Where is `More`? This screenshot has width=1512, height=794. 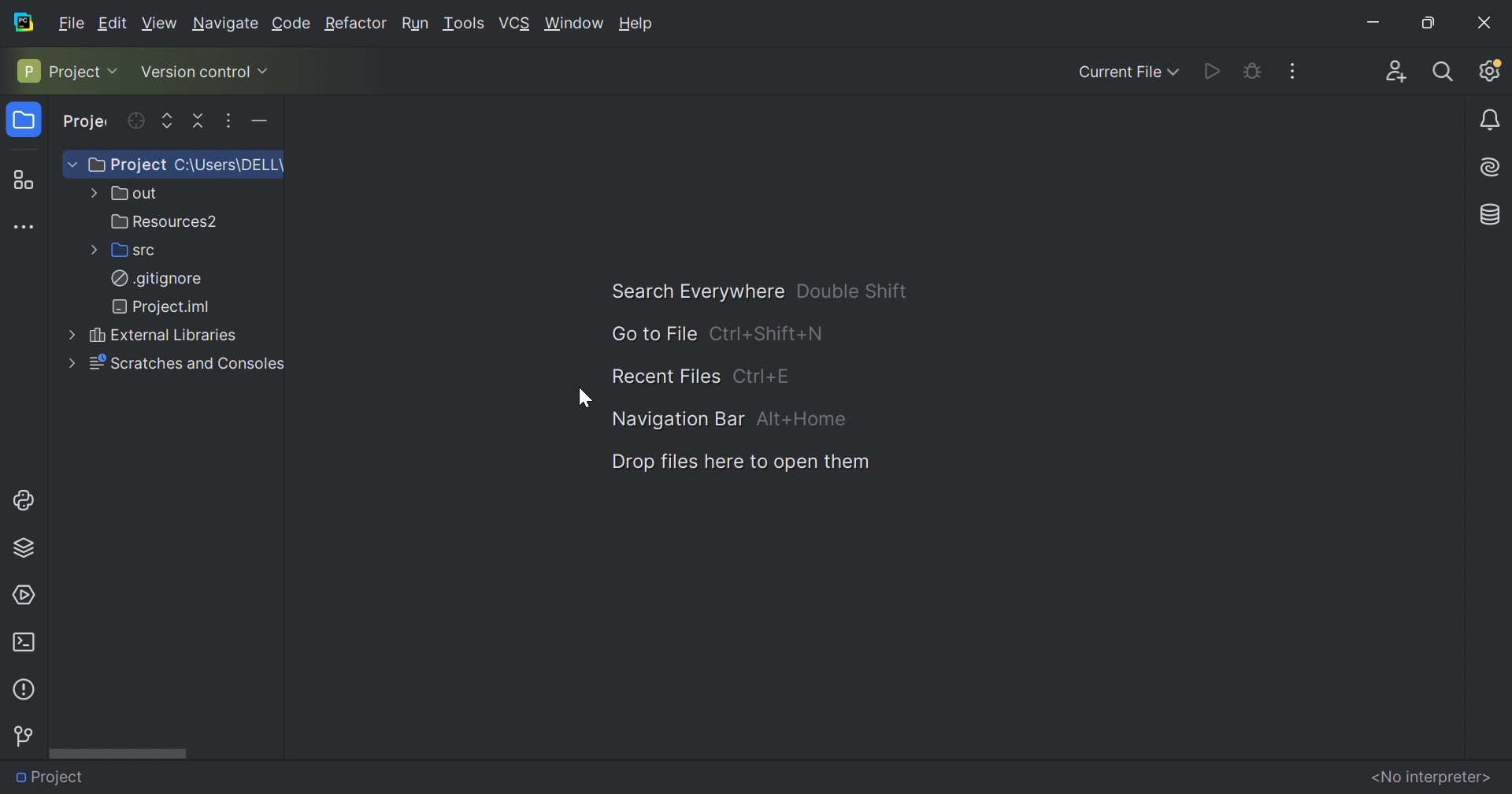
More is located at coordinates (67, 364).